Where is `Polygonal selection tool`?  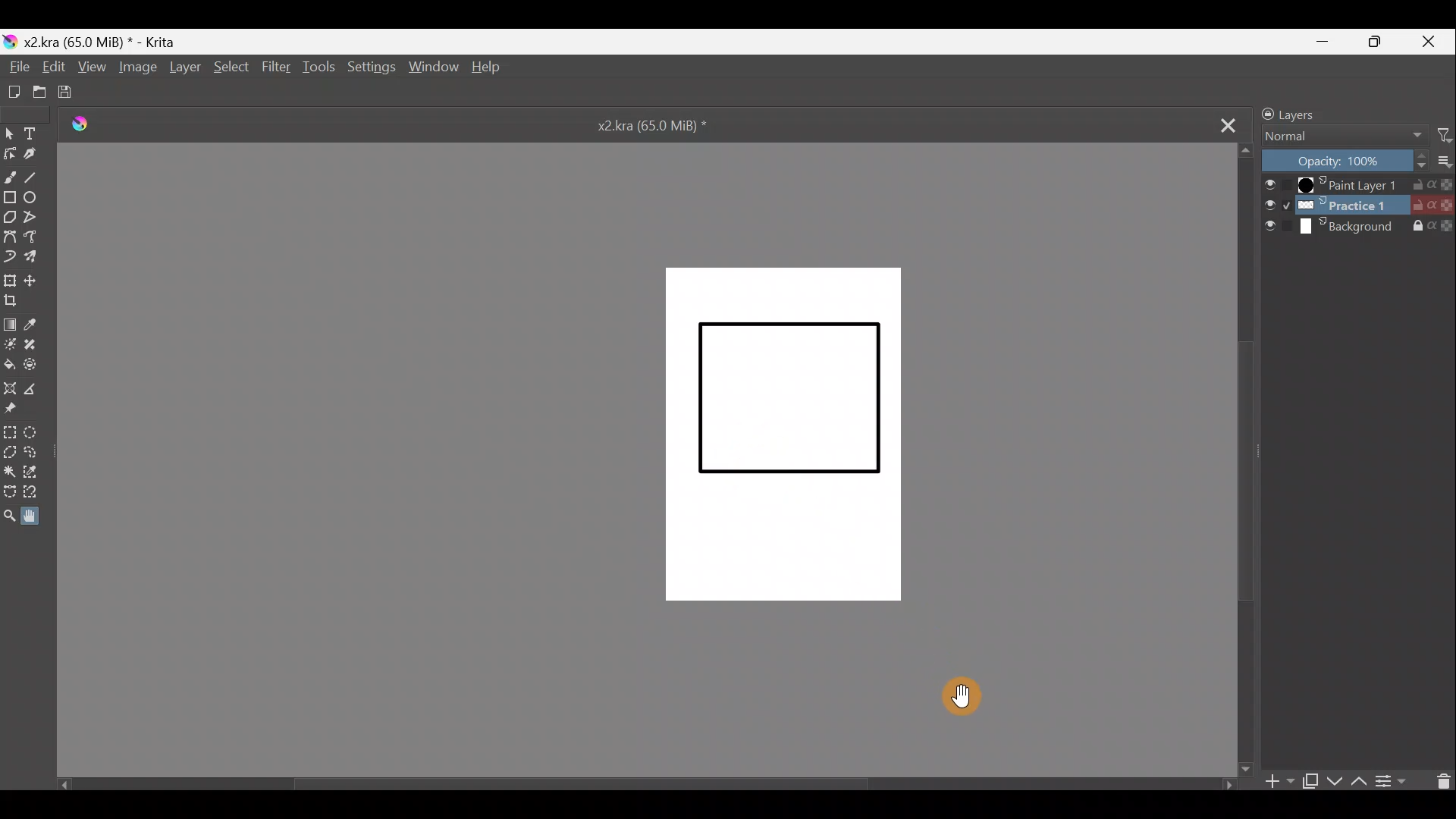
Polygonal selection tool is located at coordinates (11, 454).